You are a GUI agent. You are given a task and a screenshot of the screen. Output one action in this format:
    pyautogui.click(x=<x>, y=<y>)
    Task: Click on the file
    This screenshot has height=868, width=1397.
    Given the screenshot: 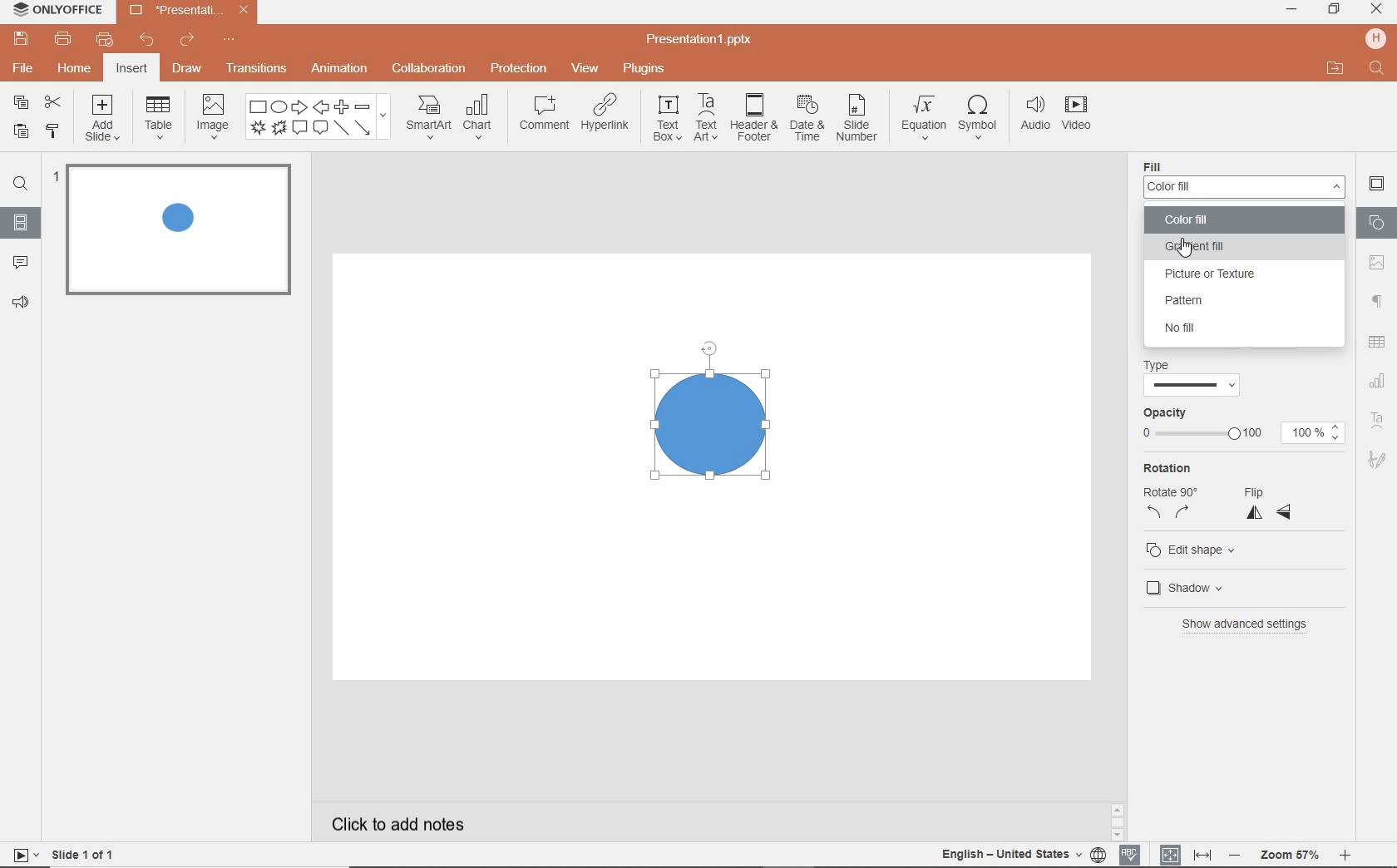 What is the action you would take?
    pyautogui.click(x=22, y=67)
    